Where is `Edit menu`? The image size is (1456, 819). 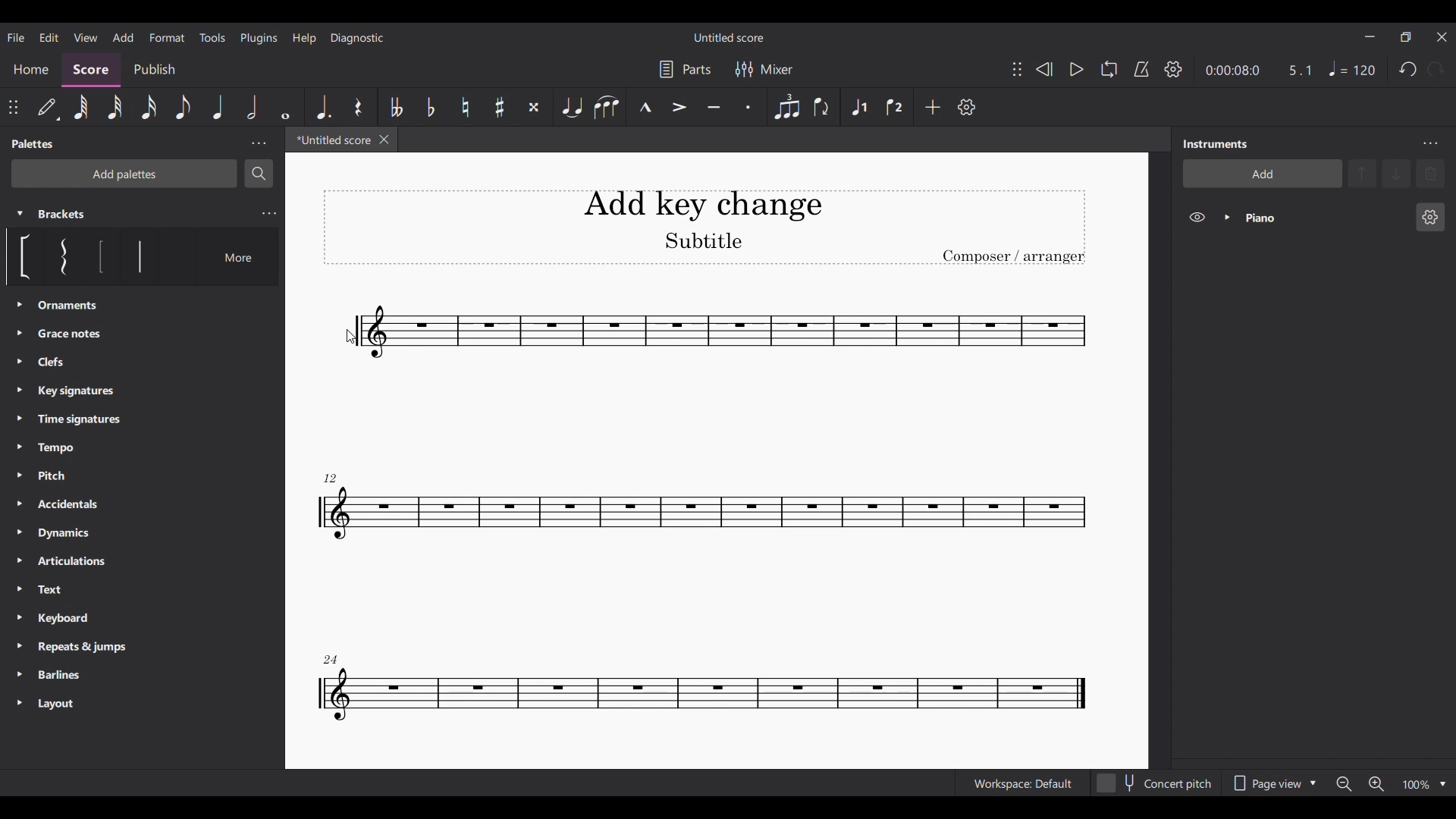
Edit menu is located at coordinates (49, 38).